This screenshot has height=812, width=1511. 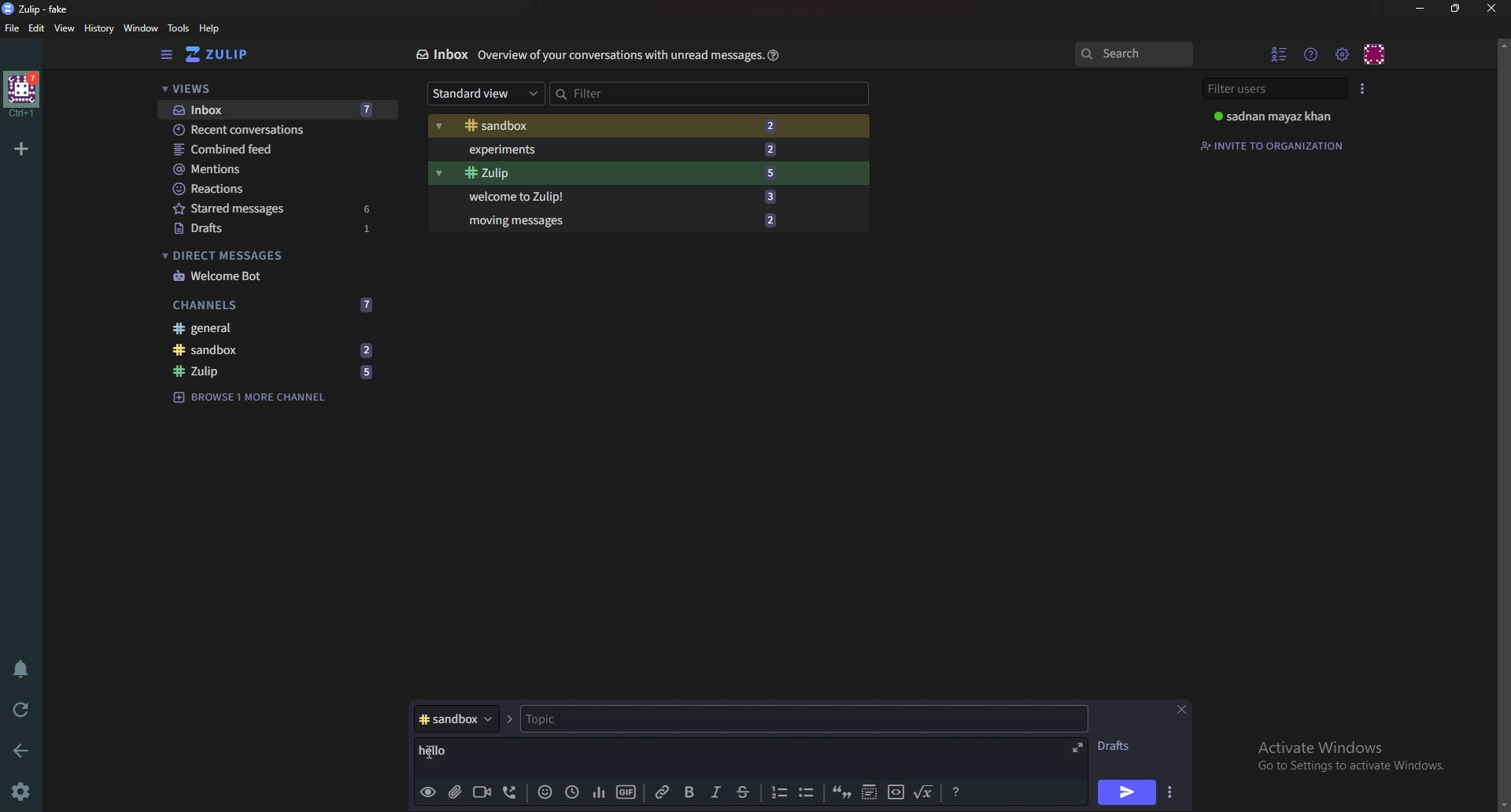 I want to click on Welcome to Zulip, so click(x=620, y=197).